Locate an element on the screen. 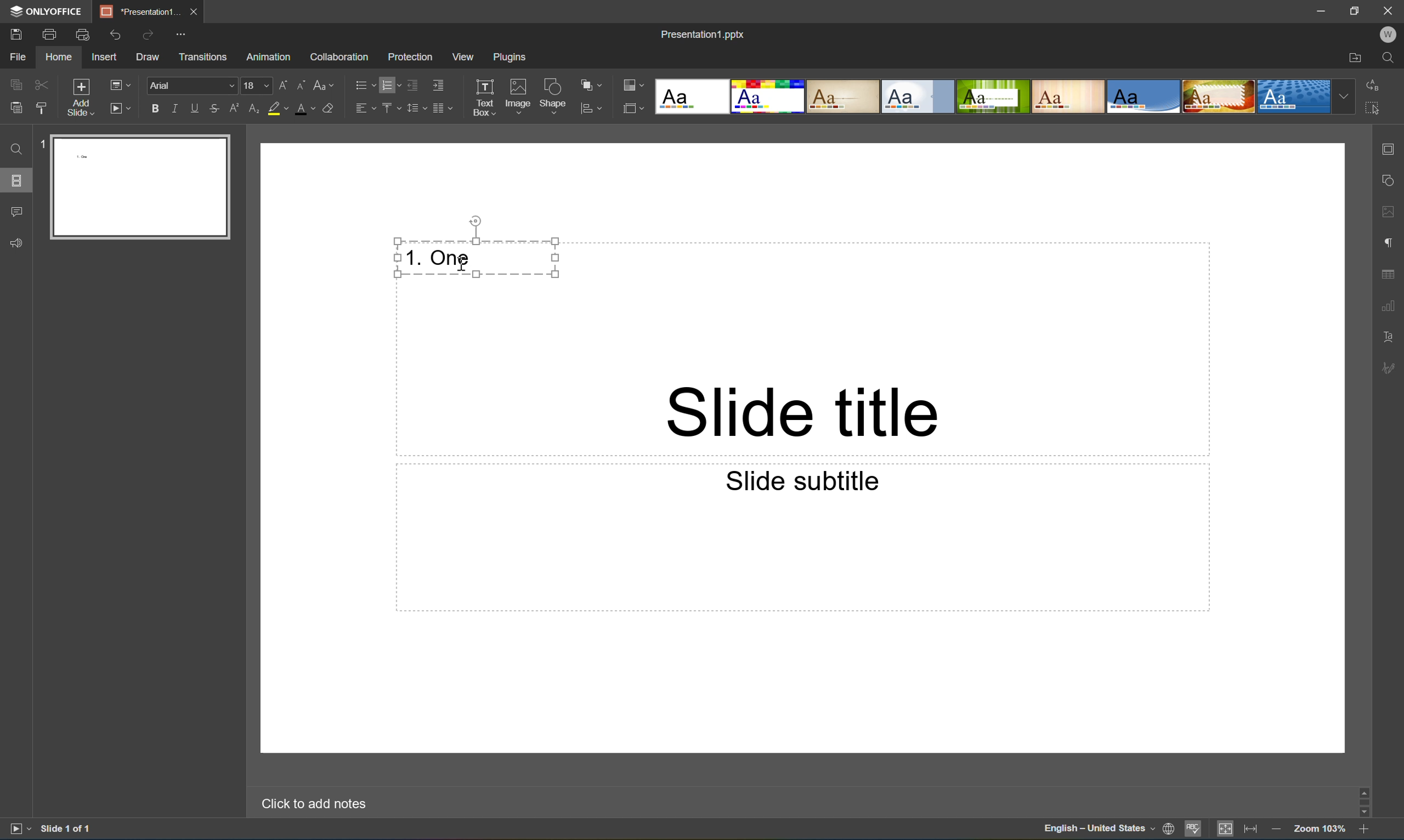 This screenshot has height=840, width=1404. Draw is located at coordinates (148, 58).